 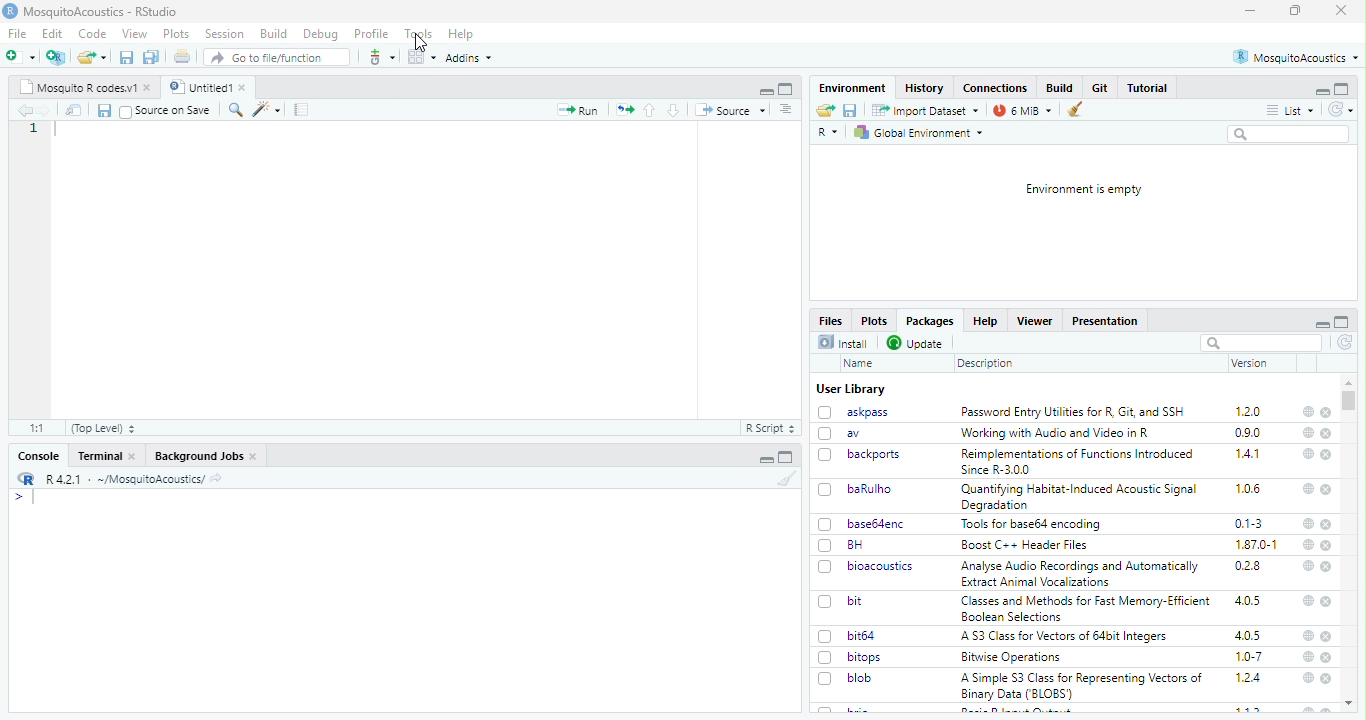 I want to click on Environment is empty, so click(x=1085, y=190).